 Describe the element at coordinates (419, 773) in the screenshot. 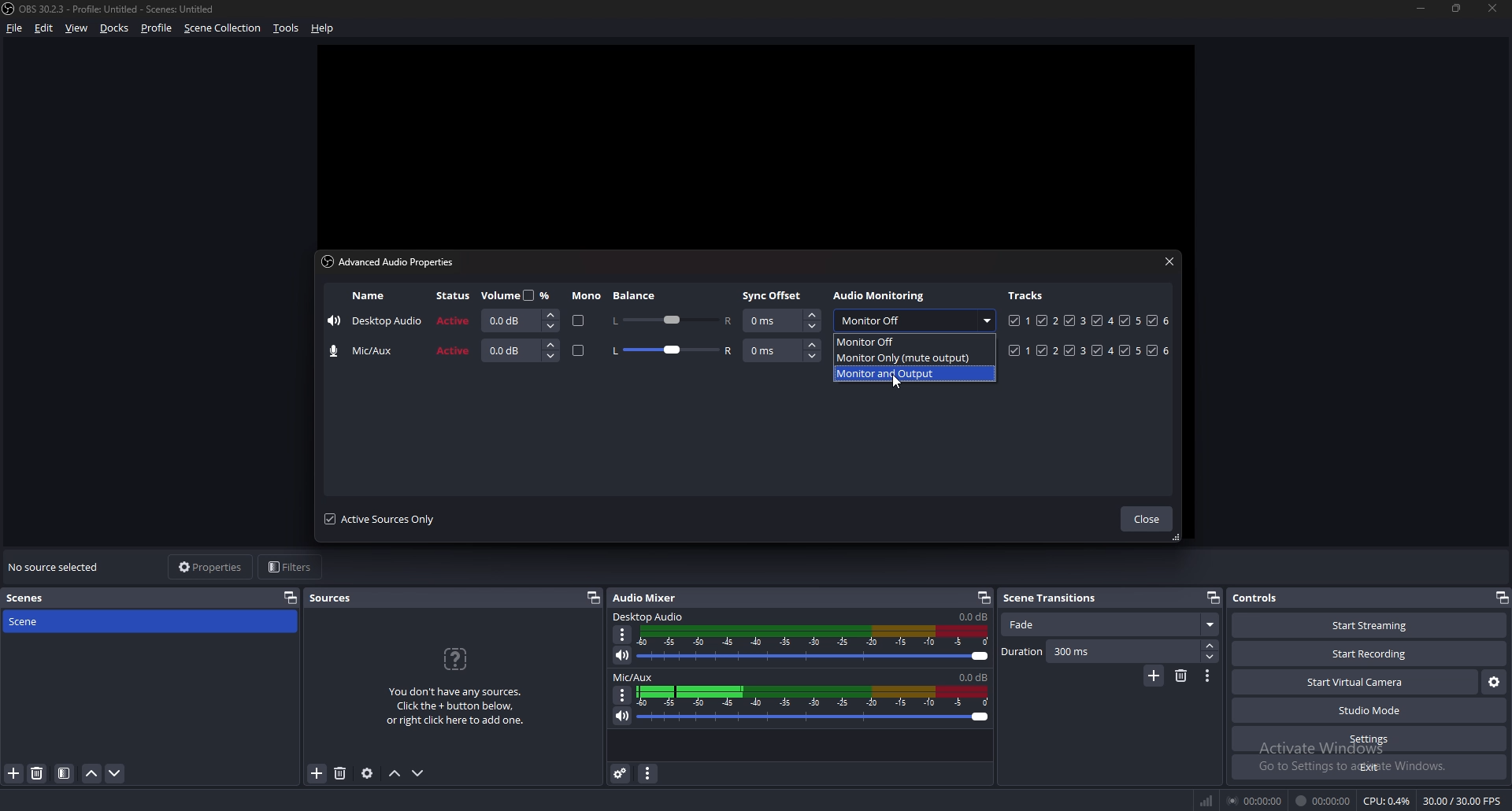

I see `move sources down` at that location.